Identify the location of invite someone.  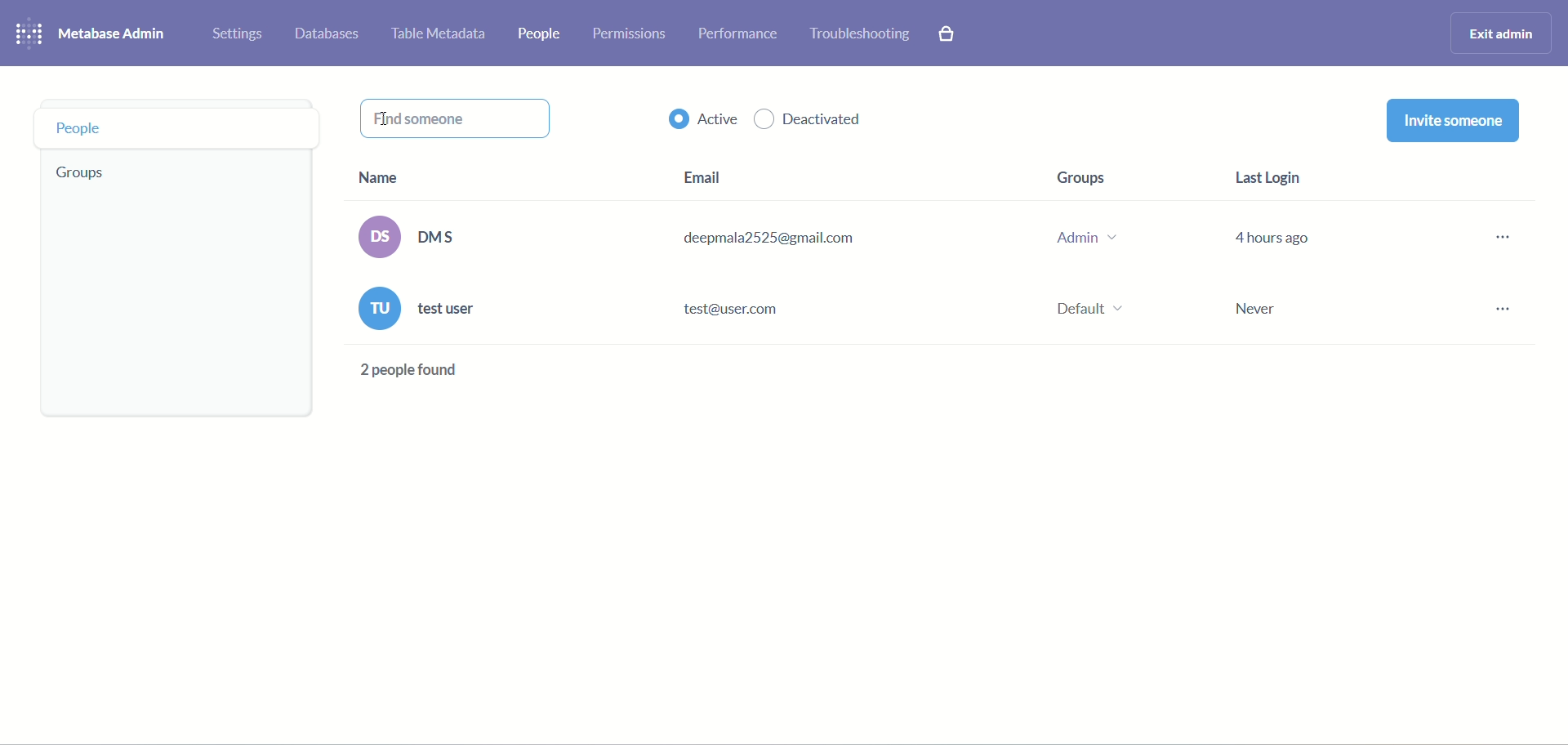
(1454, 122).